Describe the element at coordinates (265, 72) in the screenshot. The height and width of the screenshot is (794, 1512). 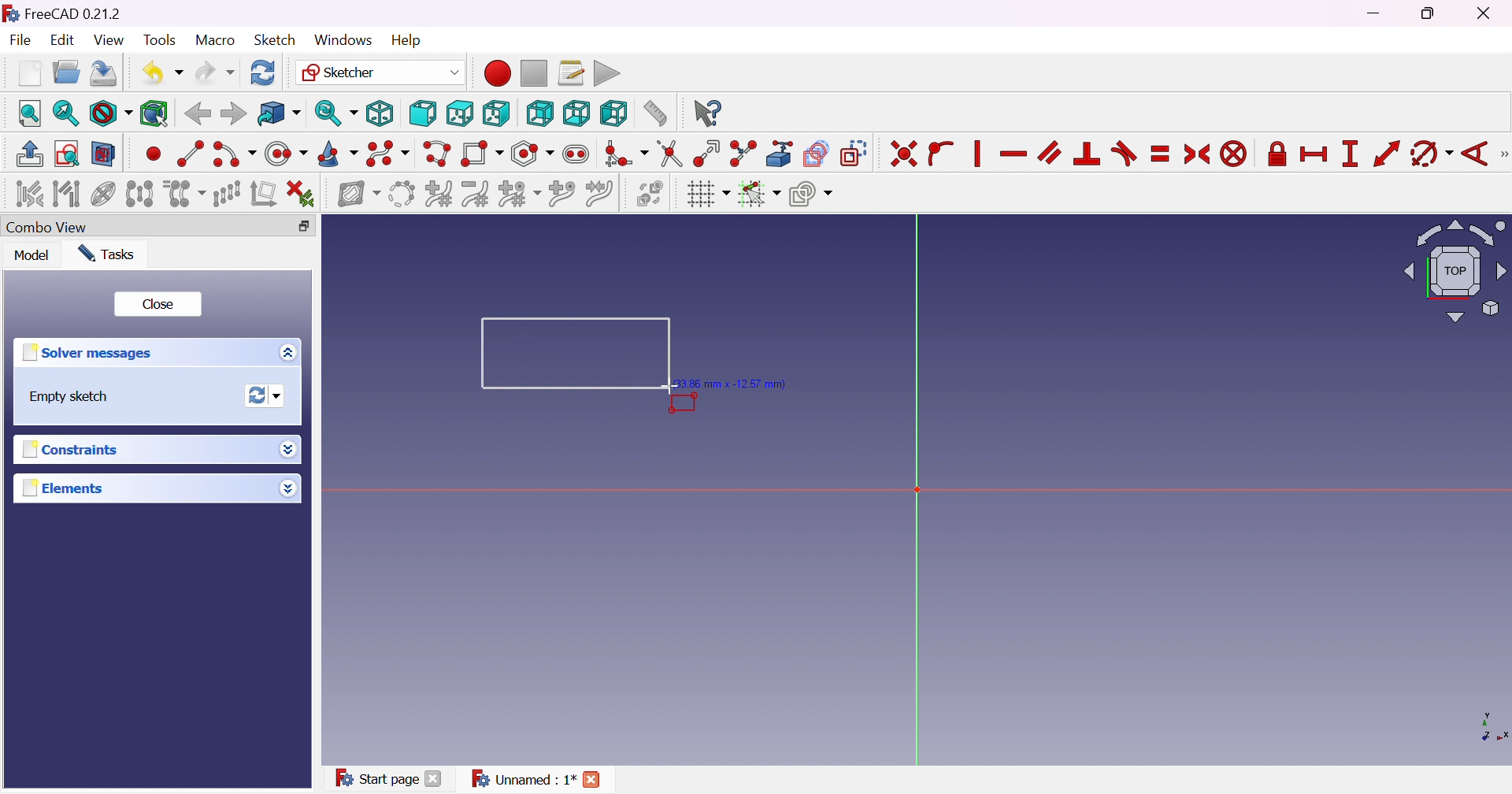
I see `Refresh` at that location.